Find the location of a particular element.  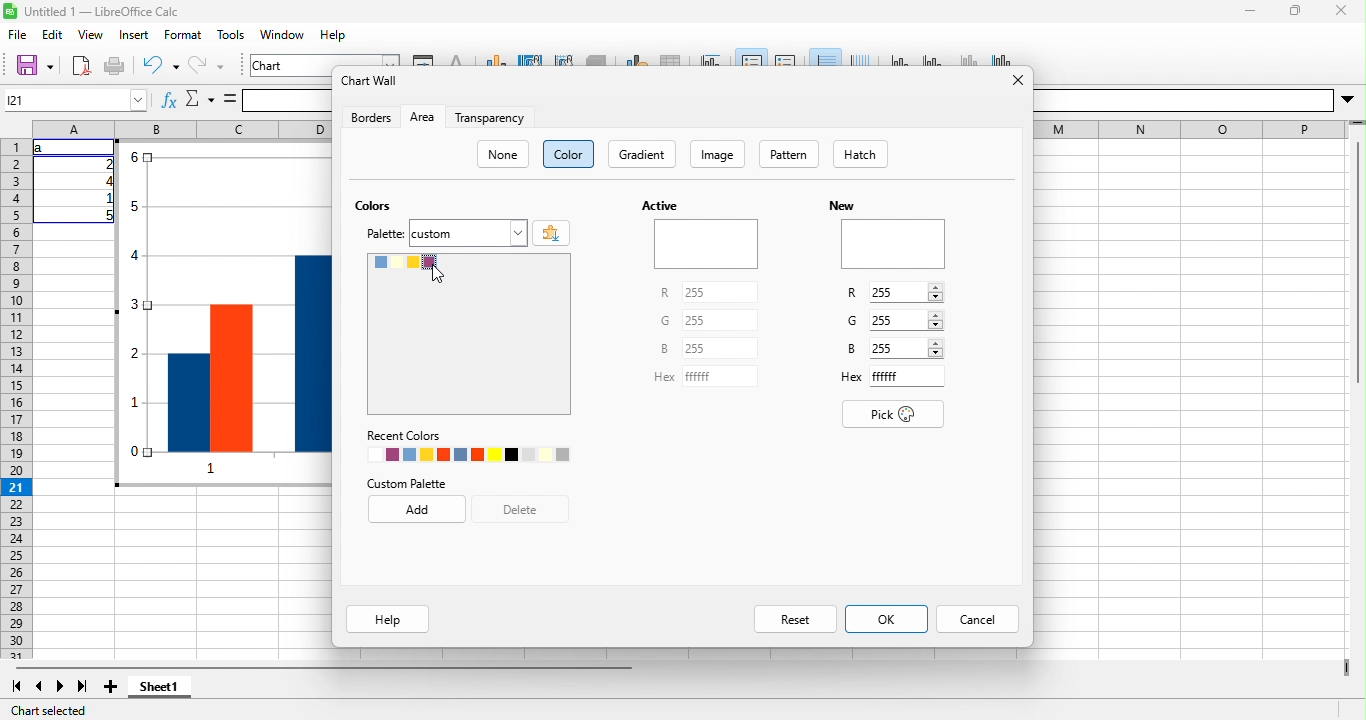

Input R value is located at coordinates (898, 292).